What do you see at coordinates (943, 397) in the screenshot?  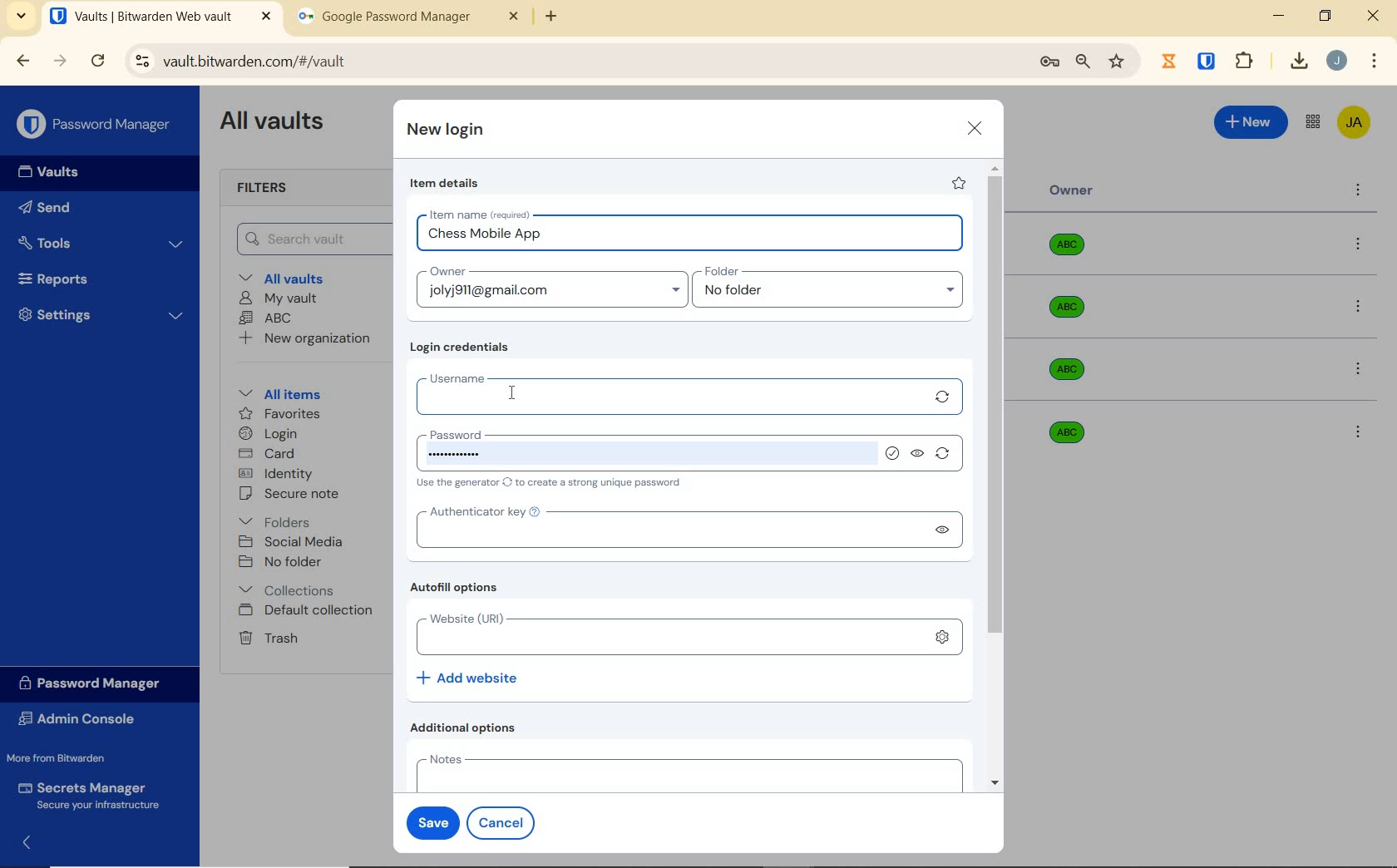 I see `generate` at bounding box center [943, 397].